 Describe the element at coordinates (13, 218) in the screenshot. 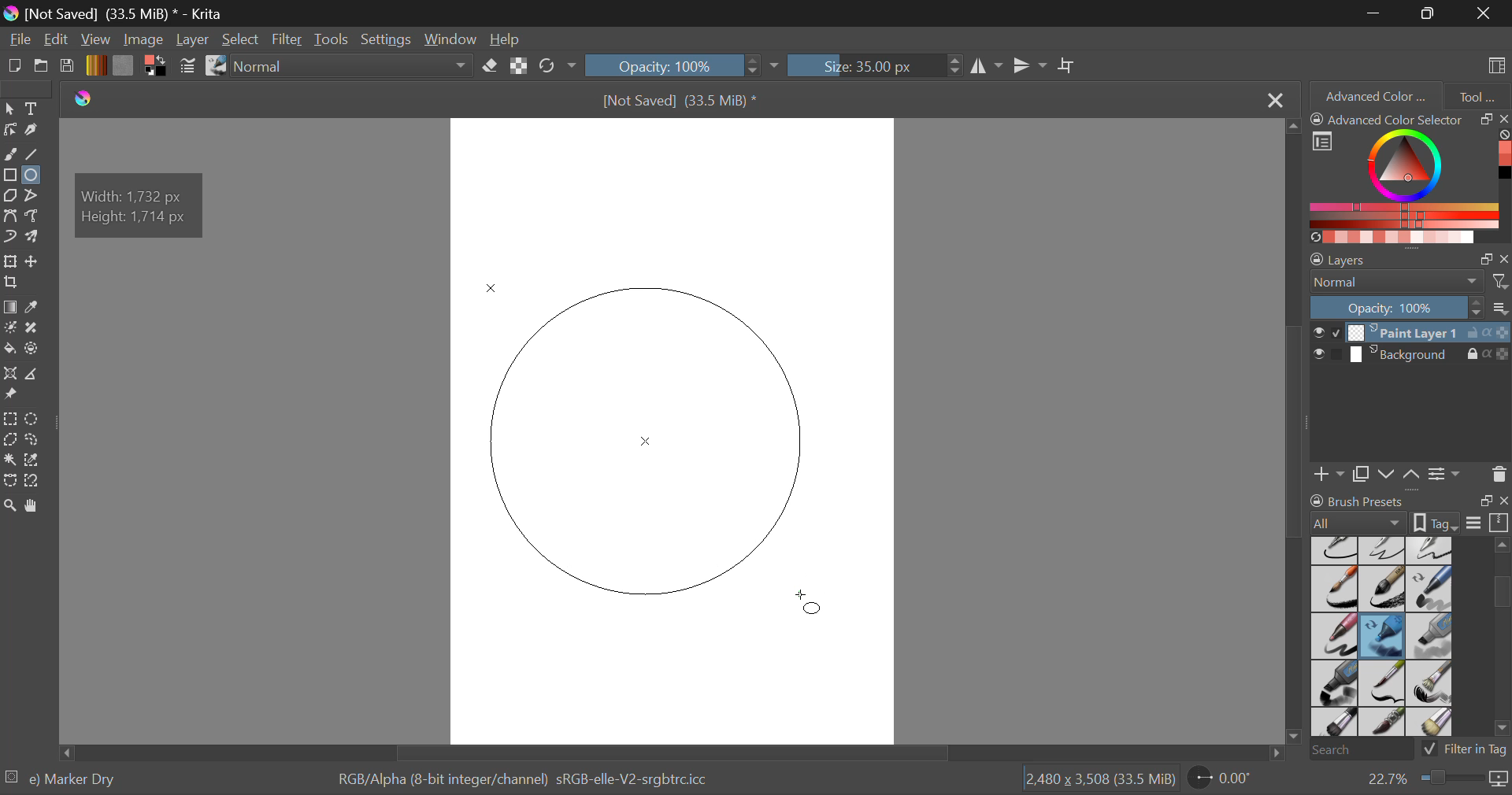

I see `Bezier Curve` at that location.